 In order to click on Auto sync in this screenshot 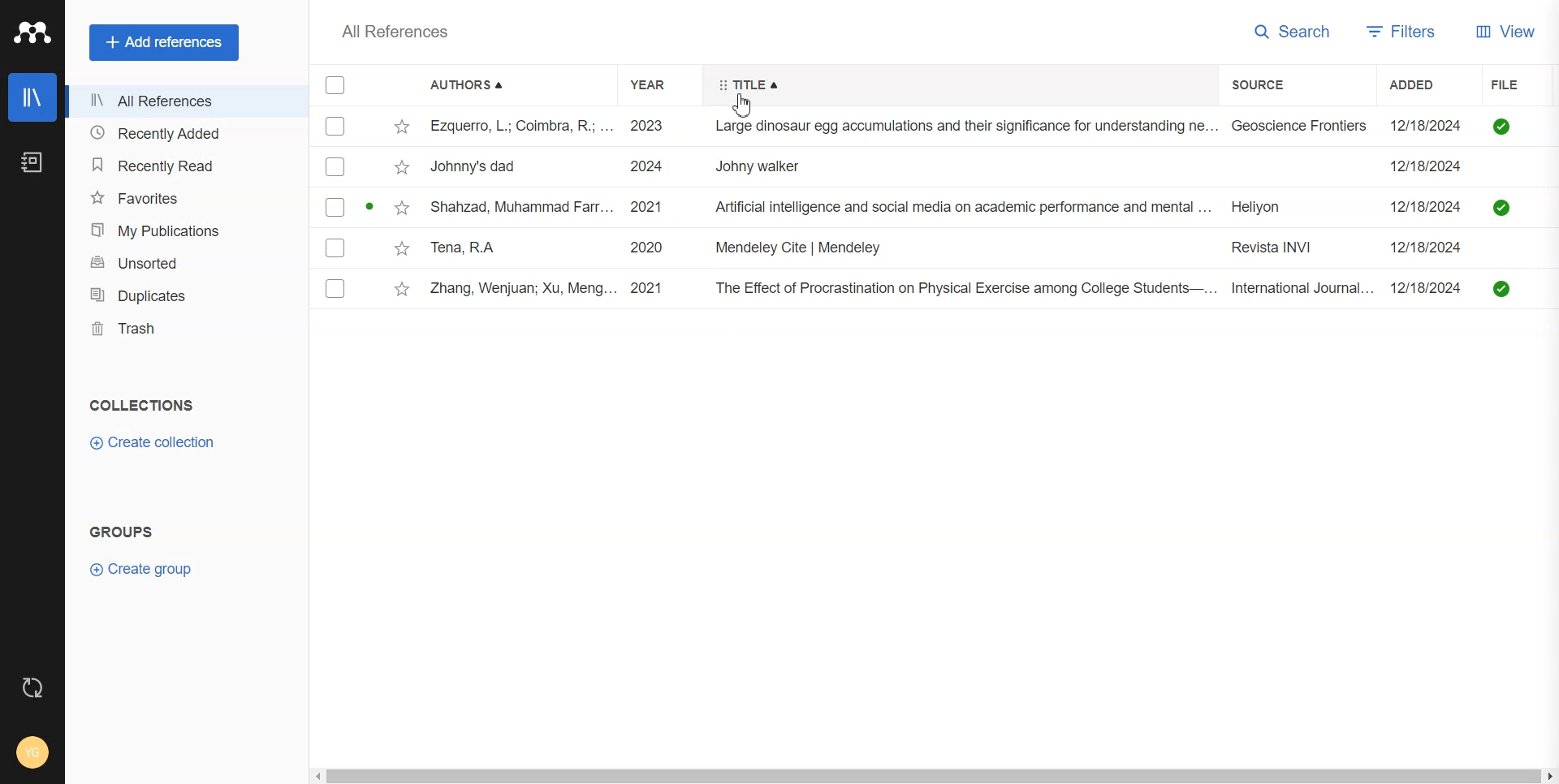, I will do `click(32, 687)`.